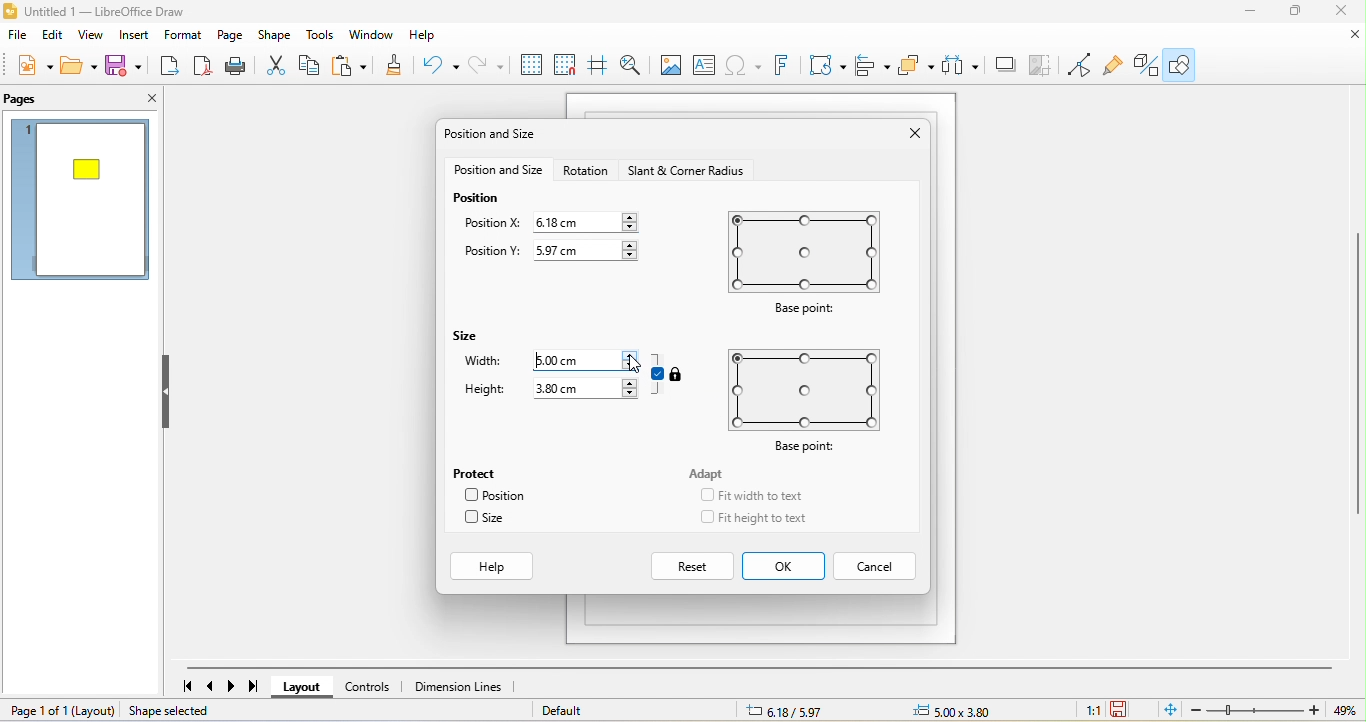  What do you see at coordinates (235, 687) in the screenshot?
I see `next page` at bounding box center [235, 687].